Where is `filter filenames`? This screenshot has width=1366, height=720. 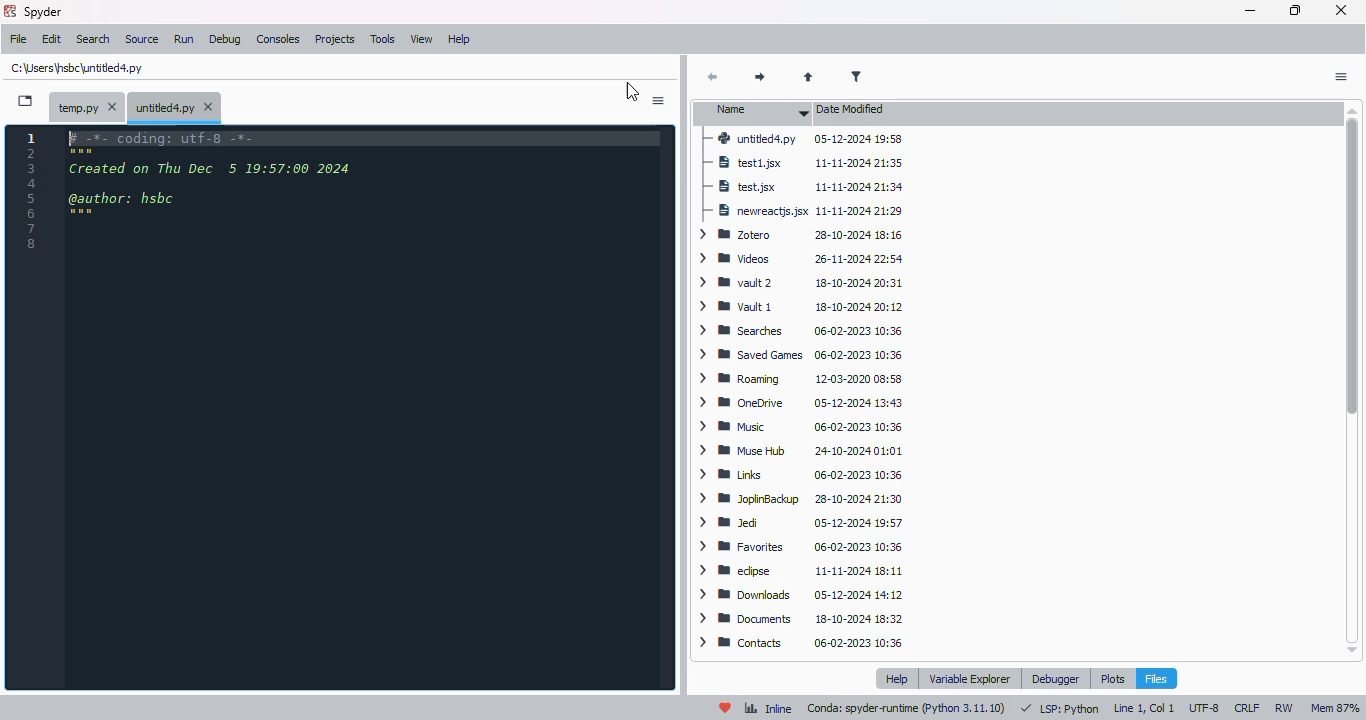
filter filenames is located at coordinates (857, 76).